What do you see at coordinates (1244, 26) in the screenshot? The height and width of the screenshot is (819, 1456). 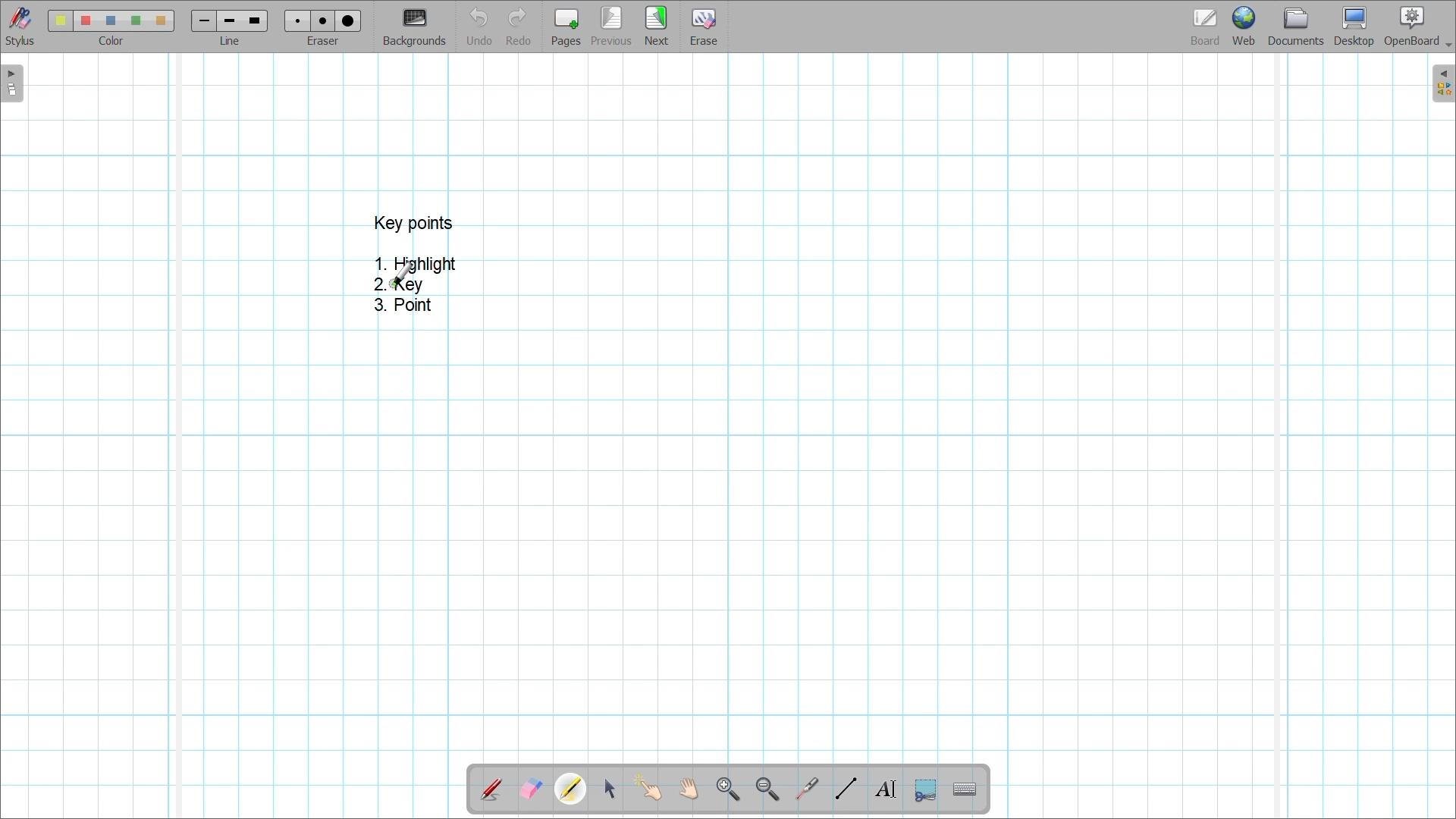 I see `Web` at bounding box center [1244, 26].